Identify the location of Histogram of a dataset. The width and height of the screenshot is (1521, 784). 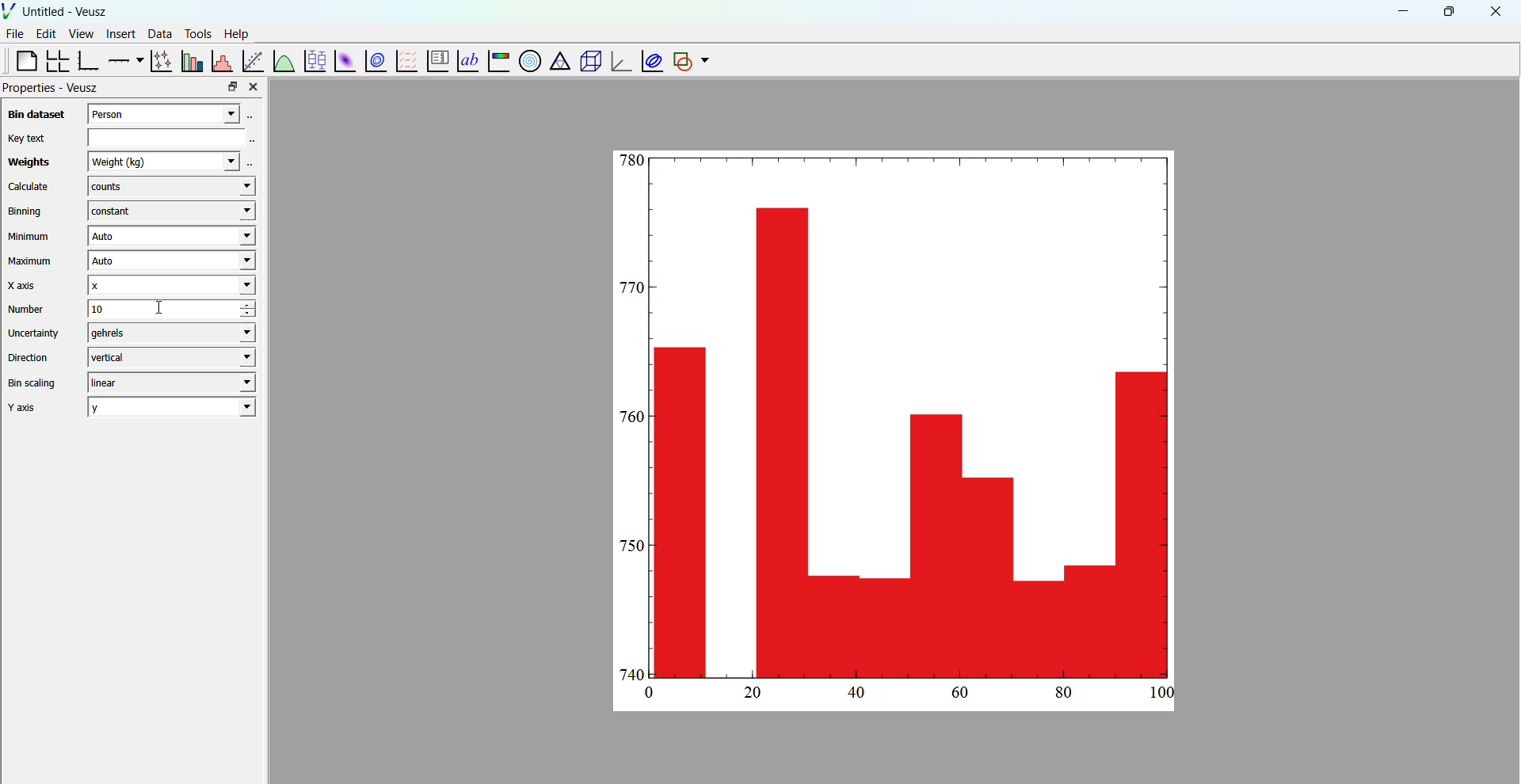
(221, 59).